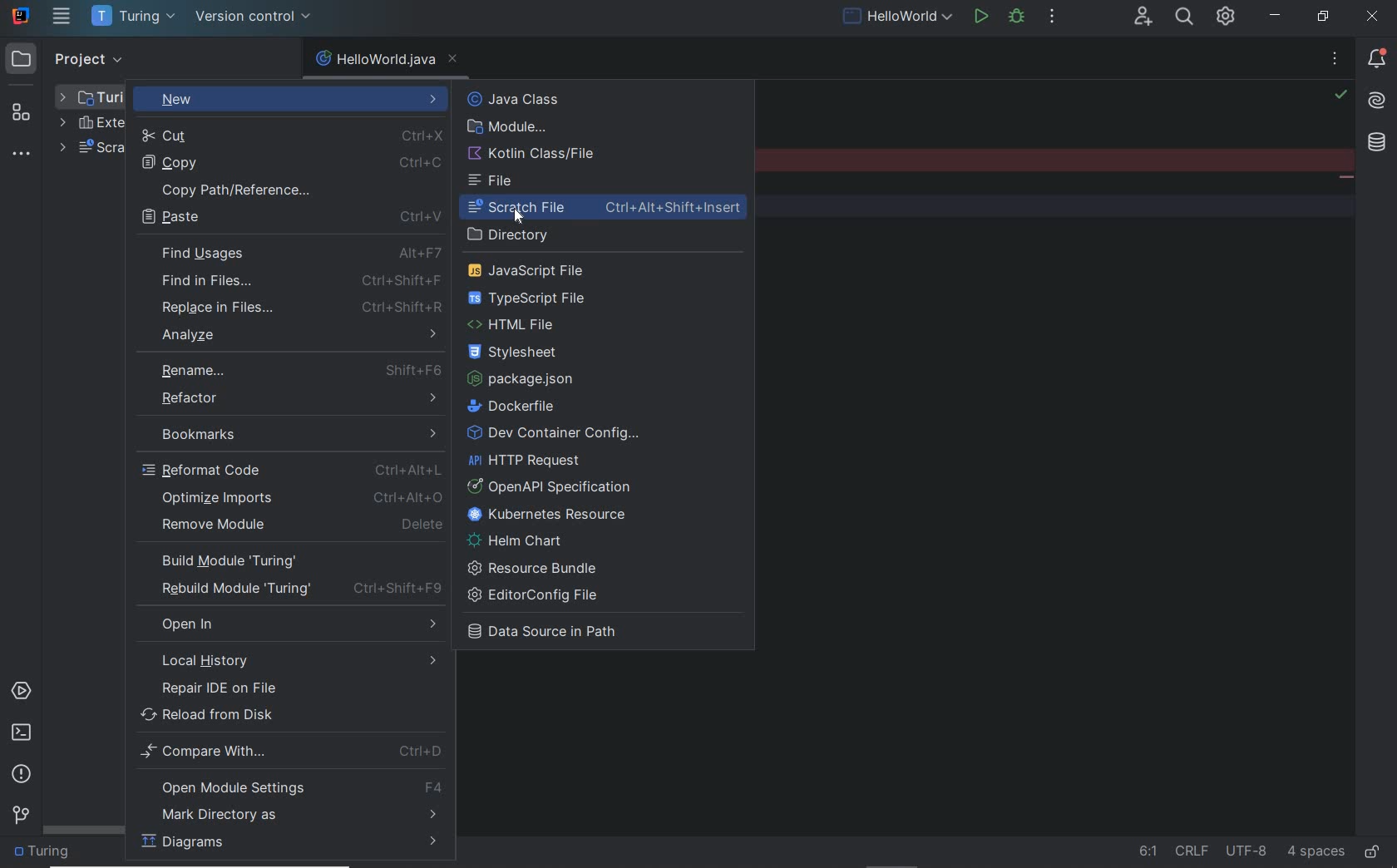  I want to click on find usages, so click(300, 254).